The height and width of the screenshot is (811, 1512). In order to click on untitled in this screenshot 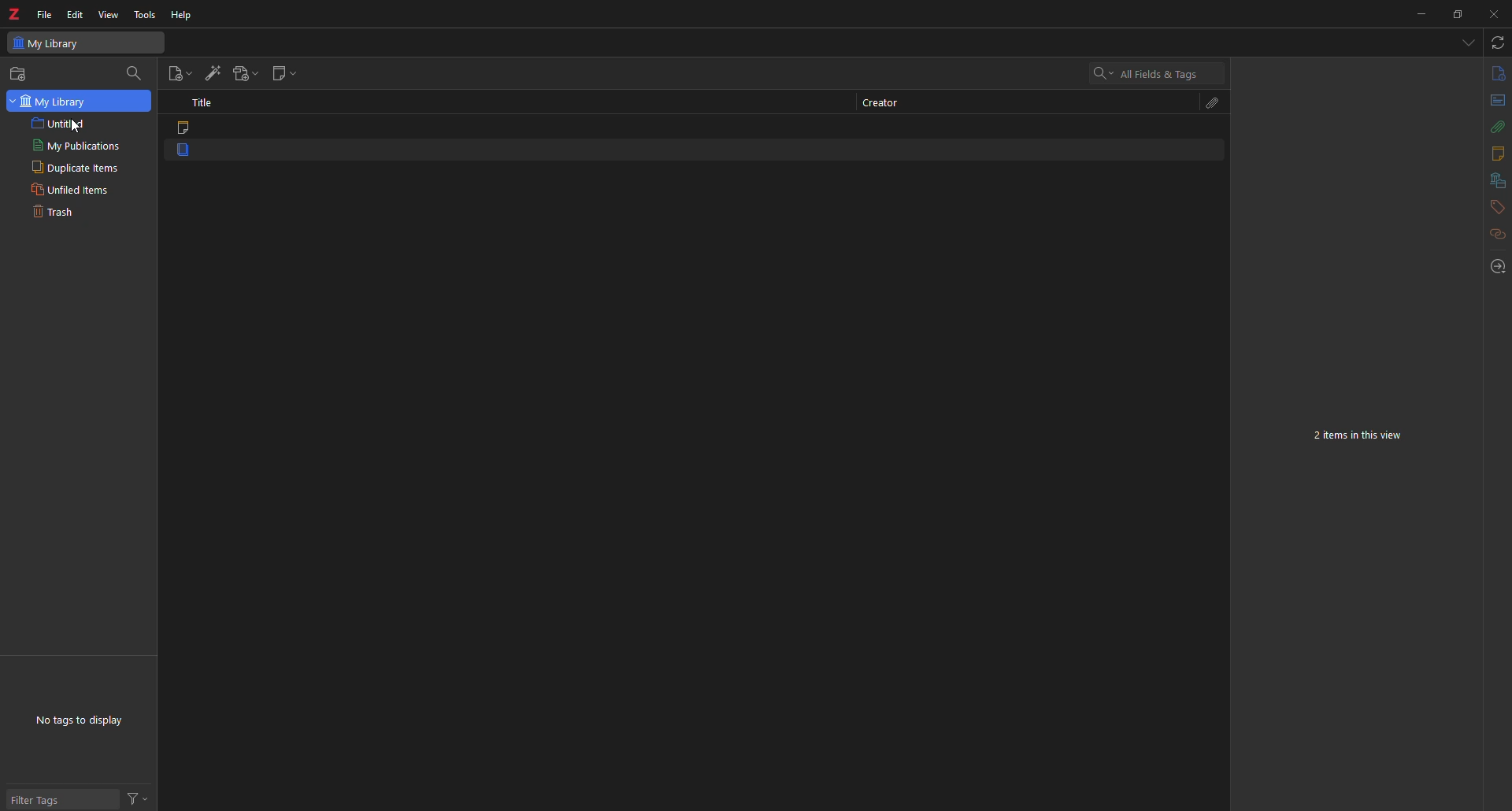, I will do `click(61, 124)`.